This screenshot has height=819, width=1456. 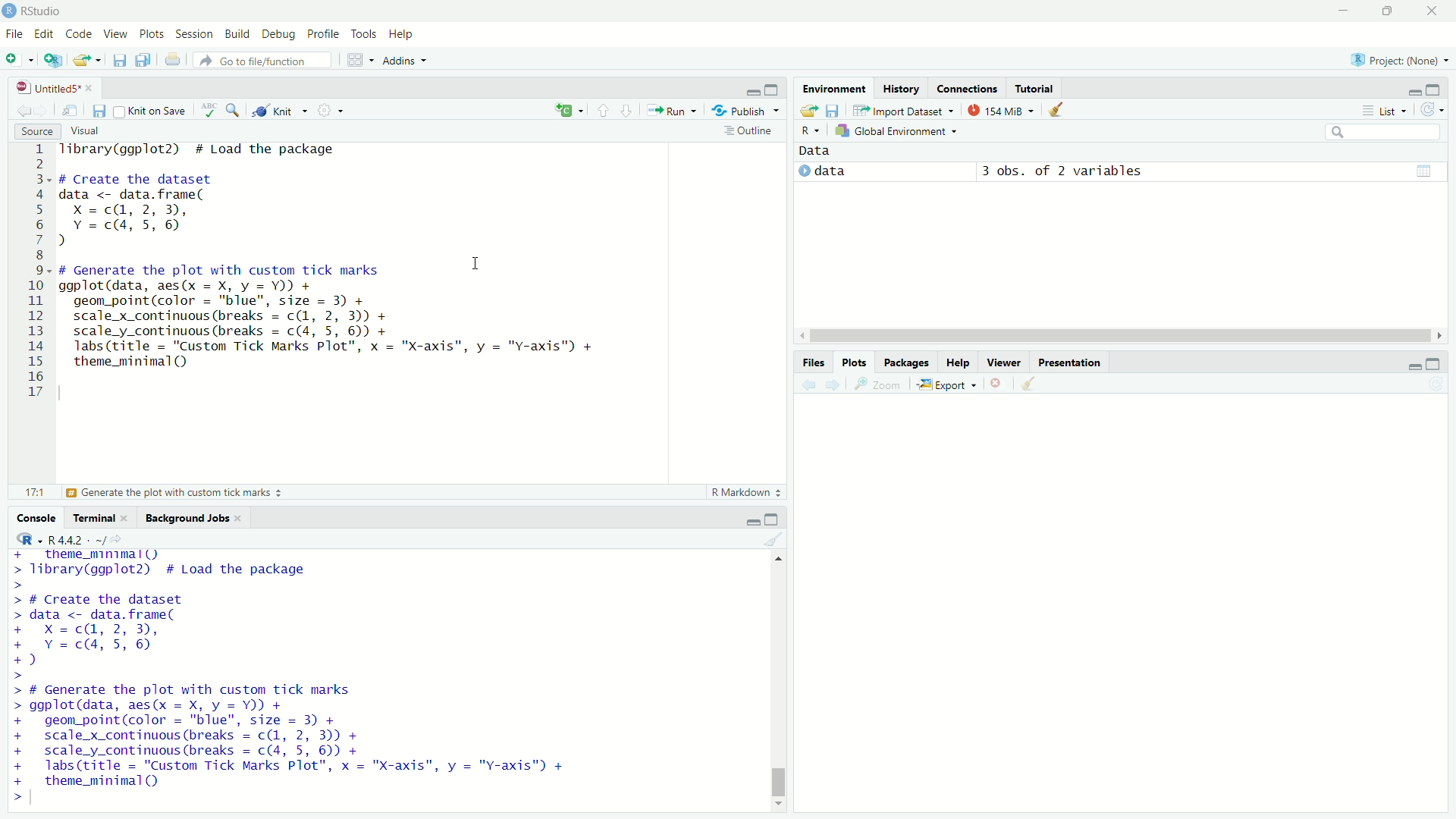 What do you see at coordinates (14, 35) in the screenshot?
I see `file` at bounding box center [14, 35].